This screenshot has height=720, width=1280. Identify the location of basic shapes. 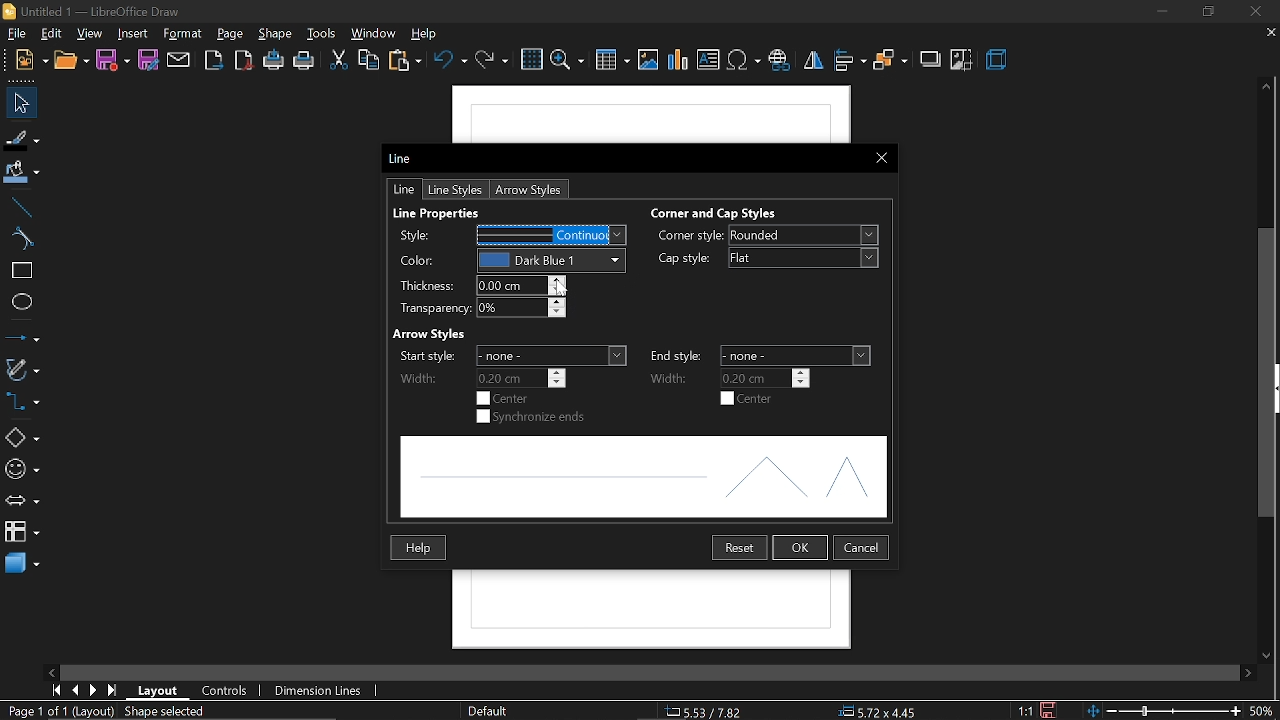
(22, 439).